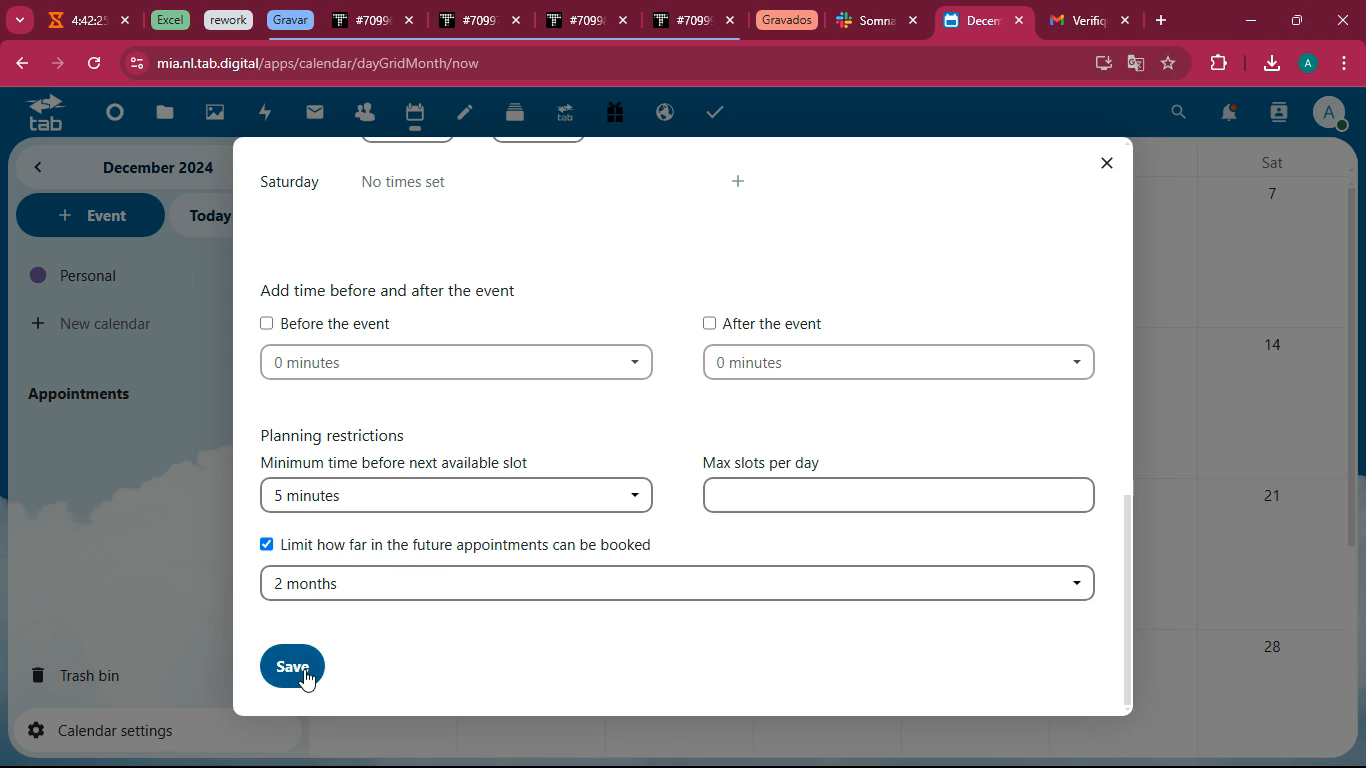 The height and width of the screenshot is (768, 1366). Describe the element at coordinates (127, 21) in the screenshot. I see `close` at that location.